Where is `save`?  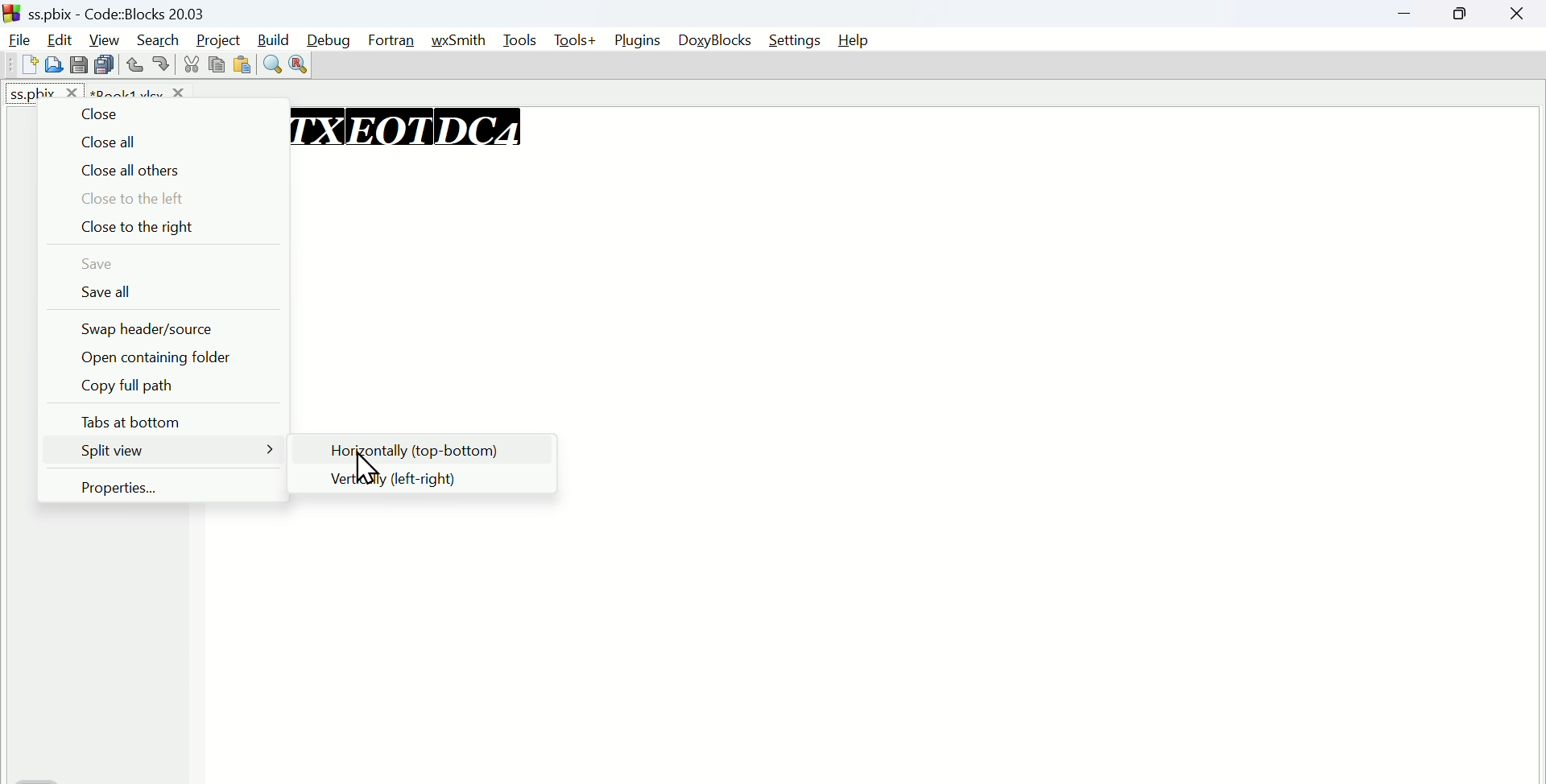 save is located at coordinates (159, 263).